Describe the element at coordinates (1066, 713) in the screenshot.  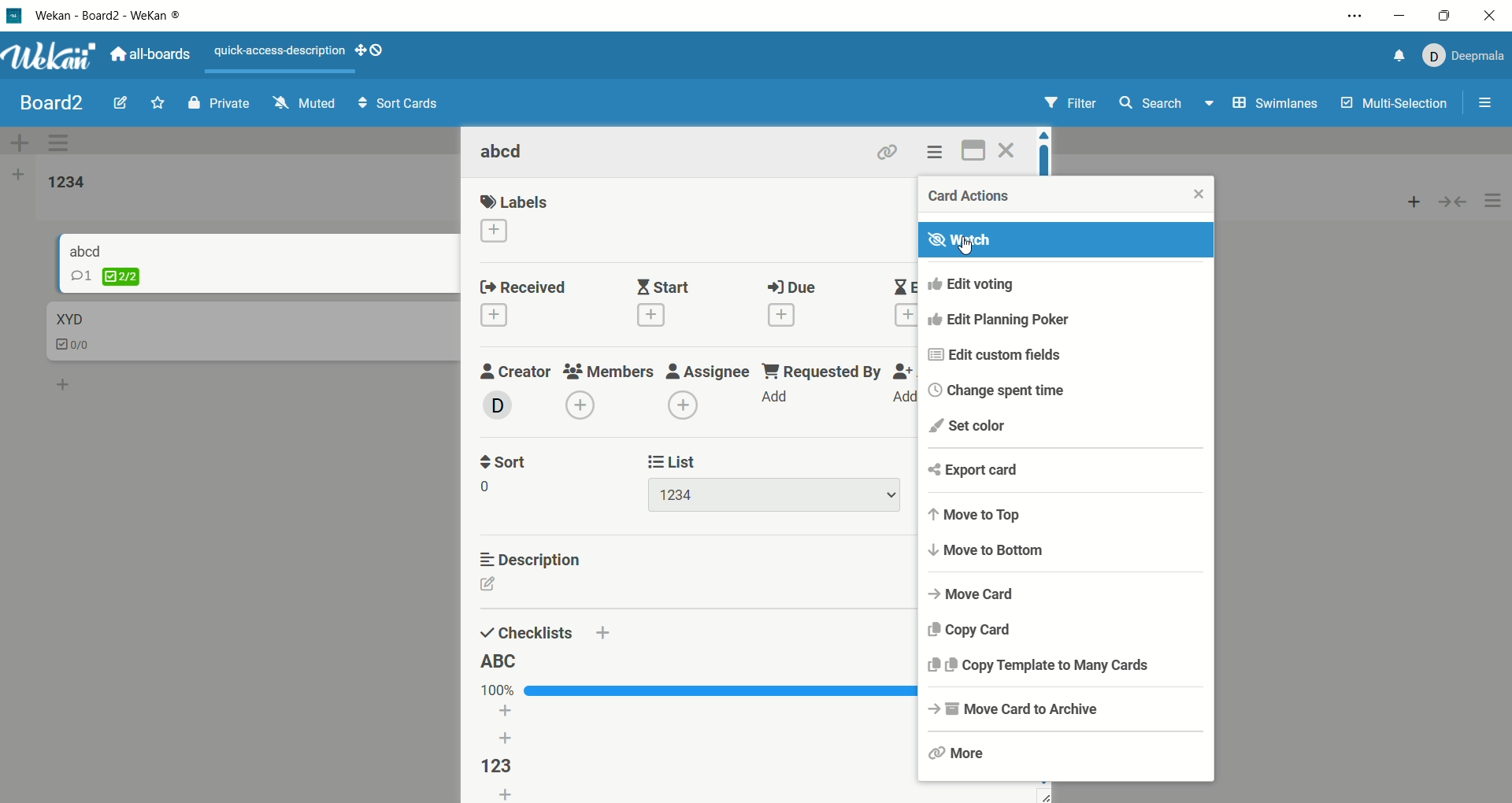
I see `move card to archive` at that location.